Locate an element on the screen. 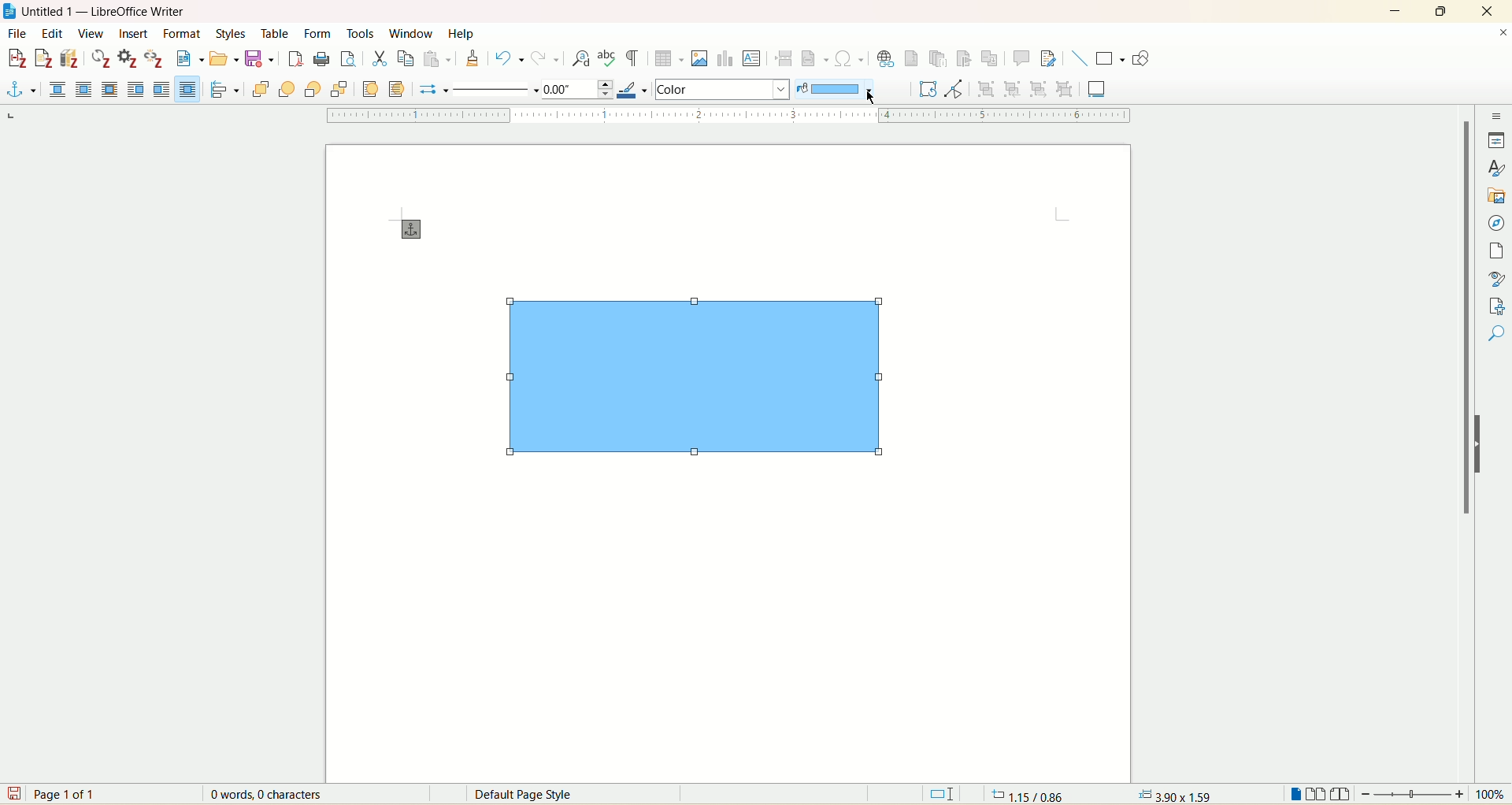 The width and height of the screenshot is (1512, 805). back one is located at coordinates (313, 89).